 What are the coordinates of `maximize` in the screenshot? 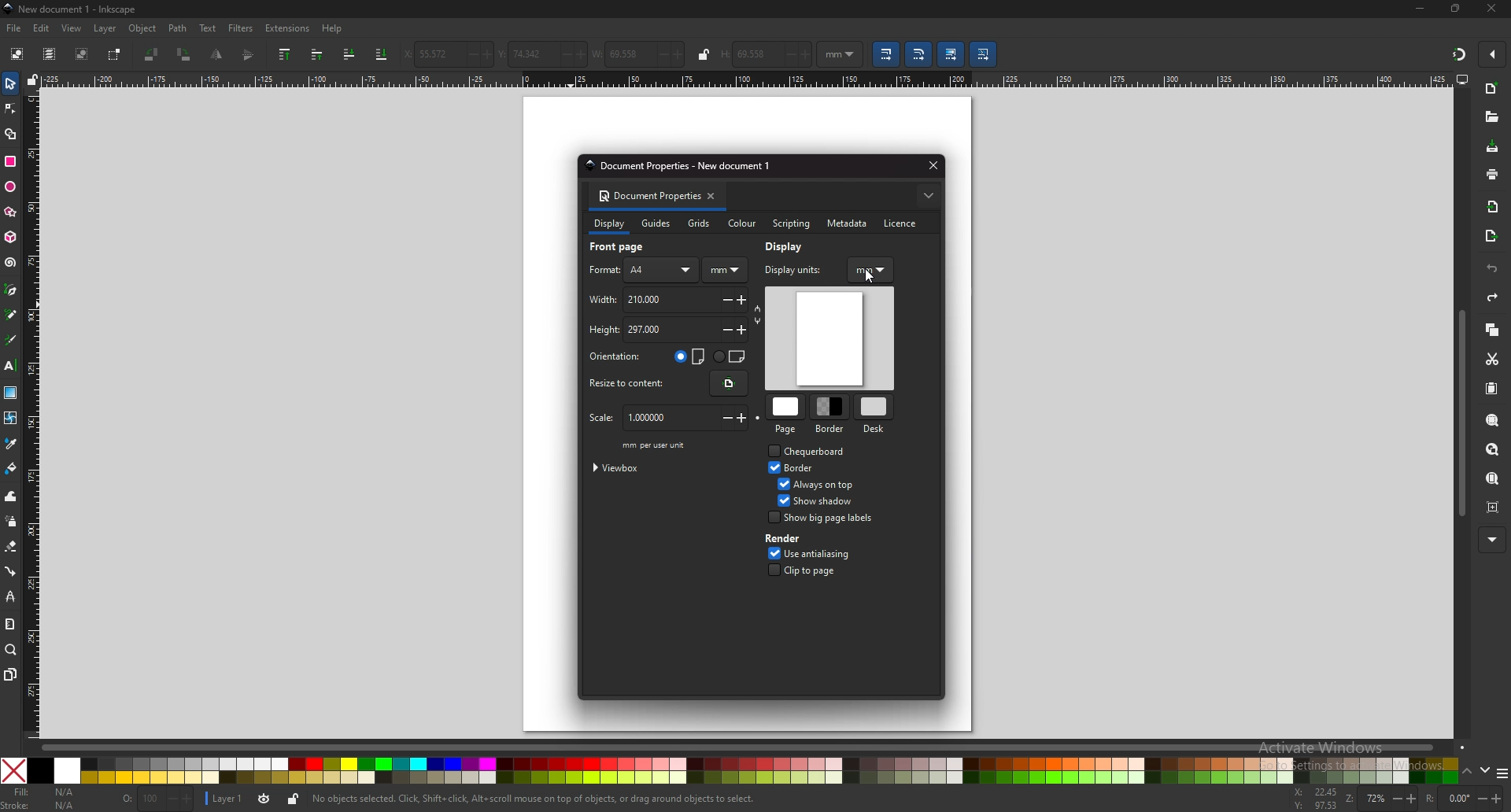 It's located at (1456, 9).